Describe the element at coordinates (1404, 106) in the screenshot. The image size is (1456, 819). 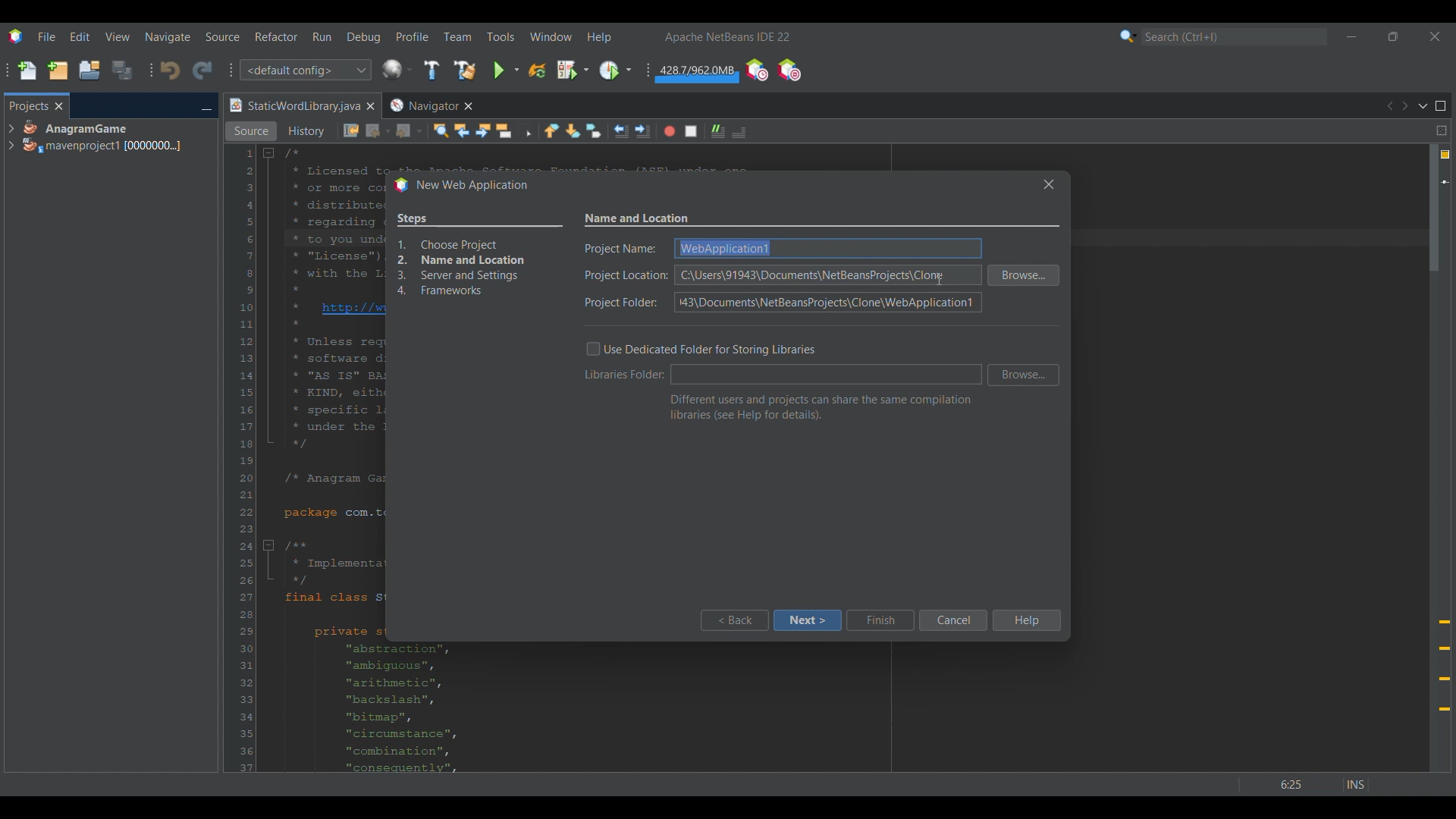
I see `Next` at that location.